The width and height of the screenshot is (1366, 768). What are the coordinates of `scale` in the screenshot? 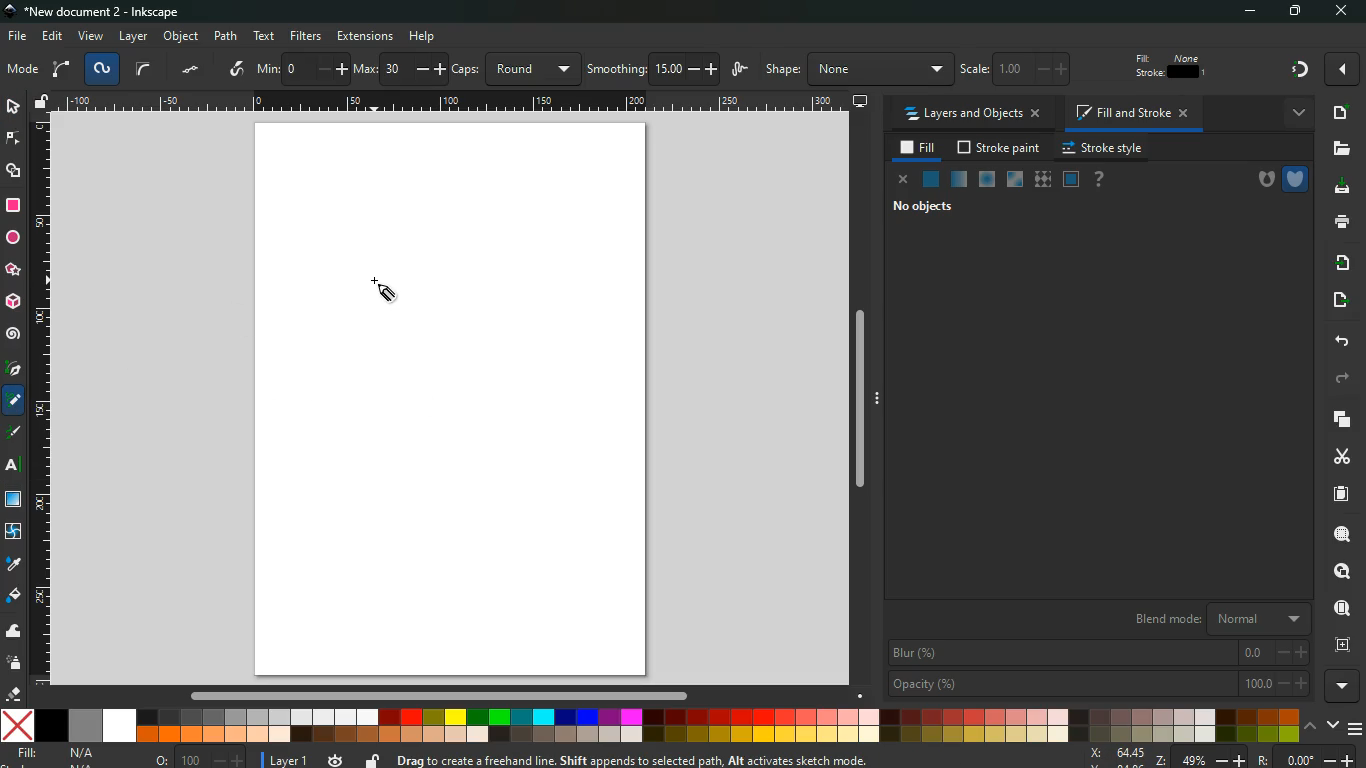 It's located at (1025, 70).